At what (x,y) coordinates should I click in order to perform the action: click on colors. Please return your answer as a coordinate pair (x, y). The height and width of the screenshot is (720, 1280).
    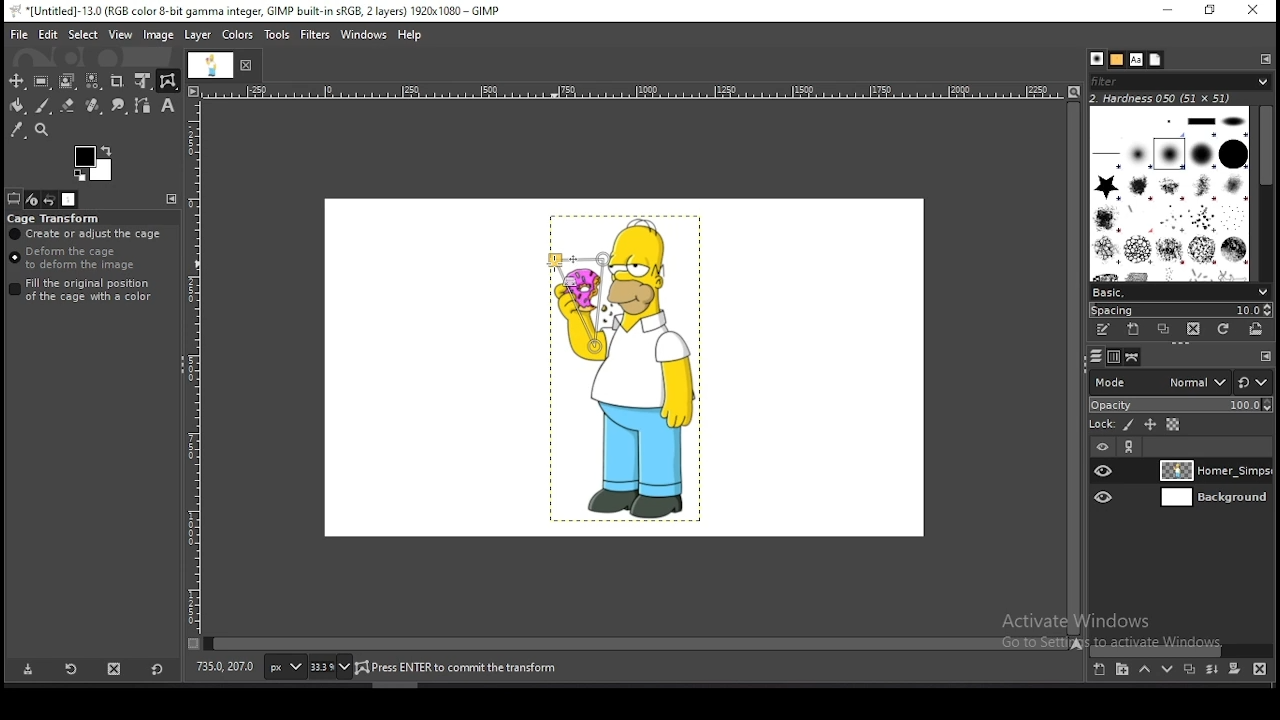
    Looking at the image, I should click on (94, 164).